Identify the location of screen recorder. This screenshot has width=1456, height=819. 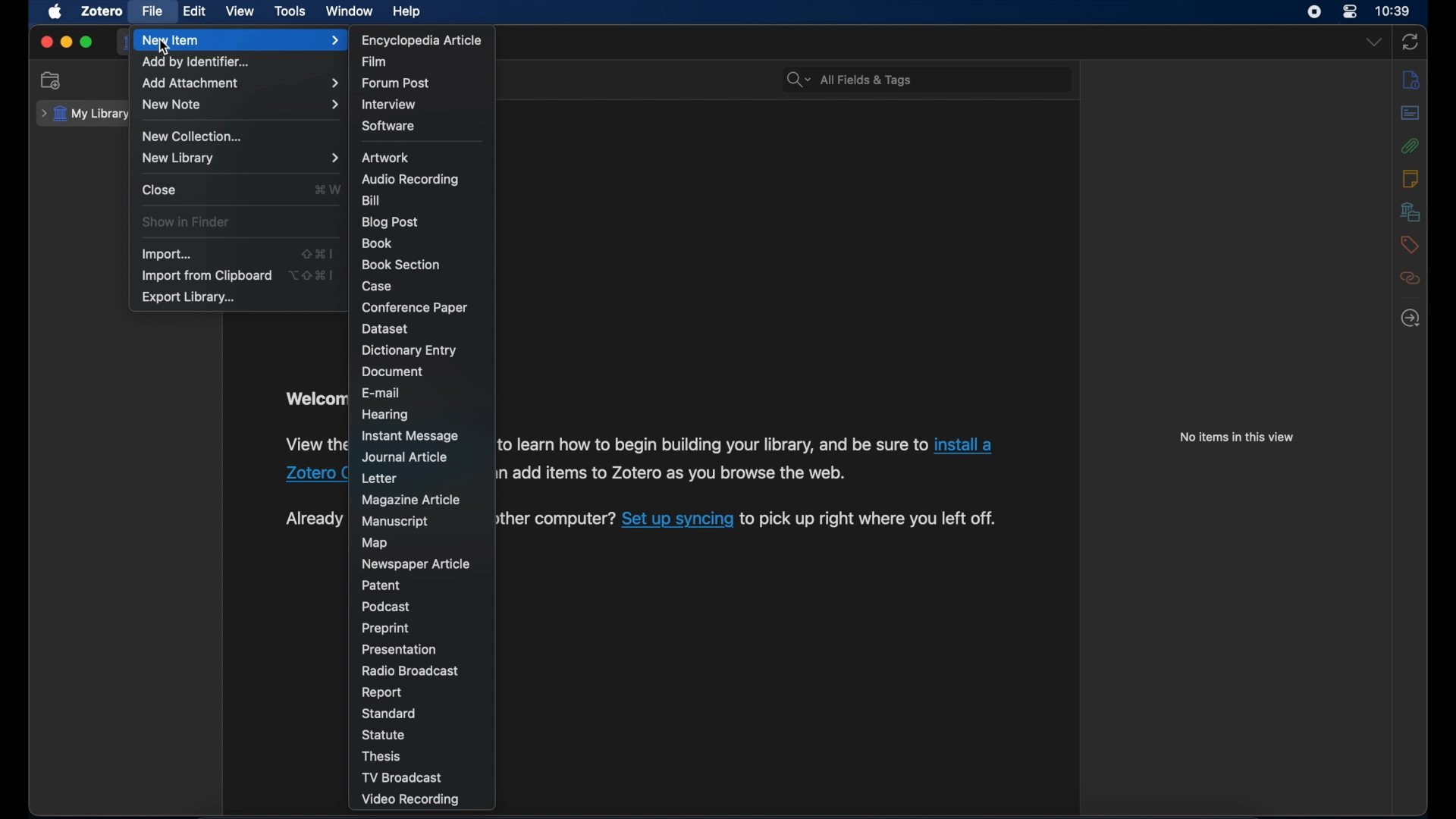
(1314, 12).